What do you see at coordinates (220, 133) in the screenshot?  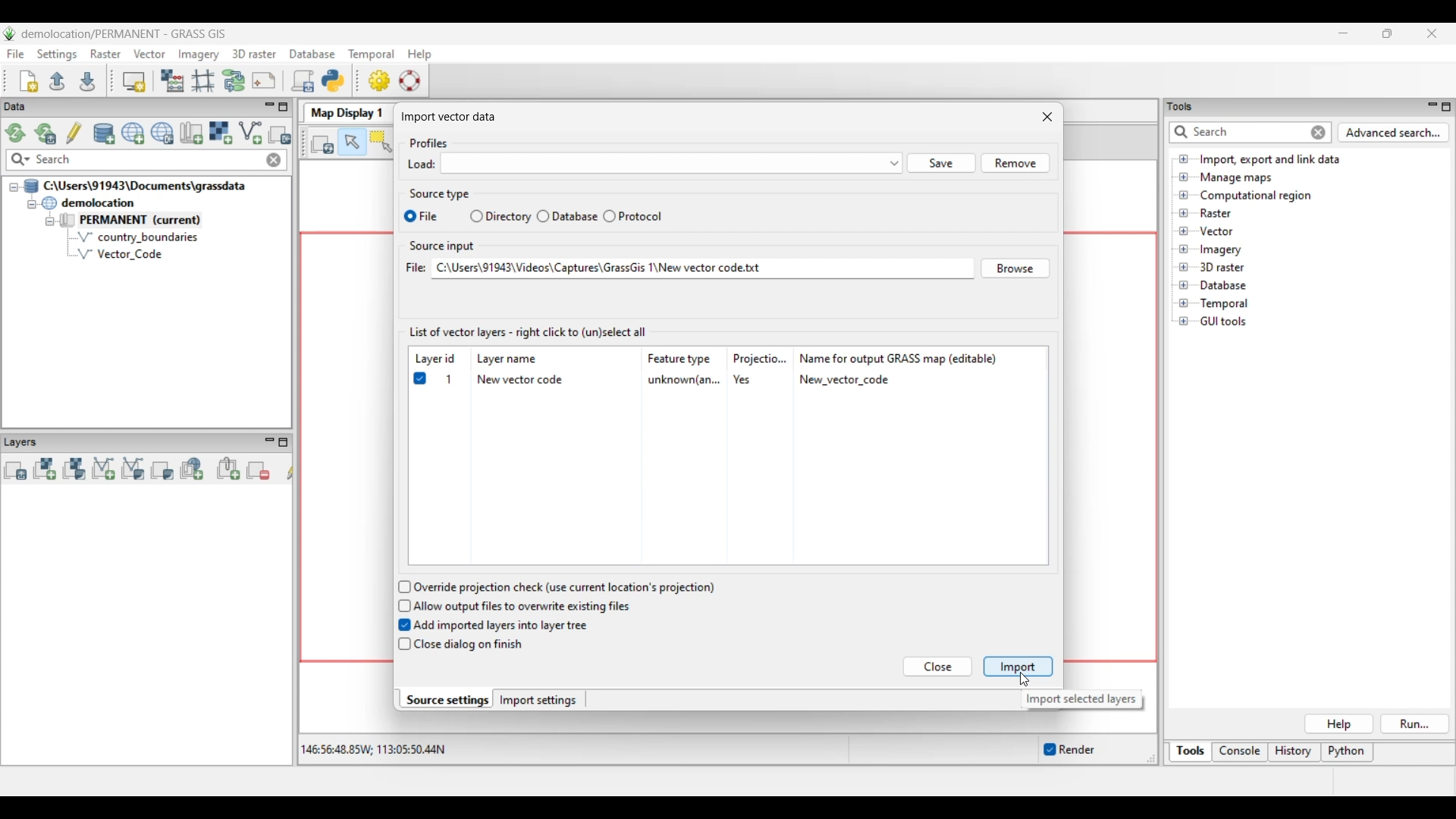 I see `Import raster data` at bounding box center [220, 133].